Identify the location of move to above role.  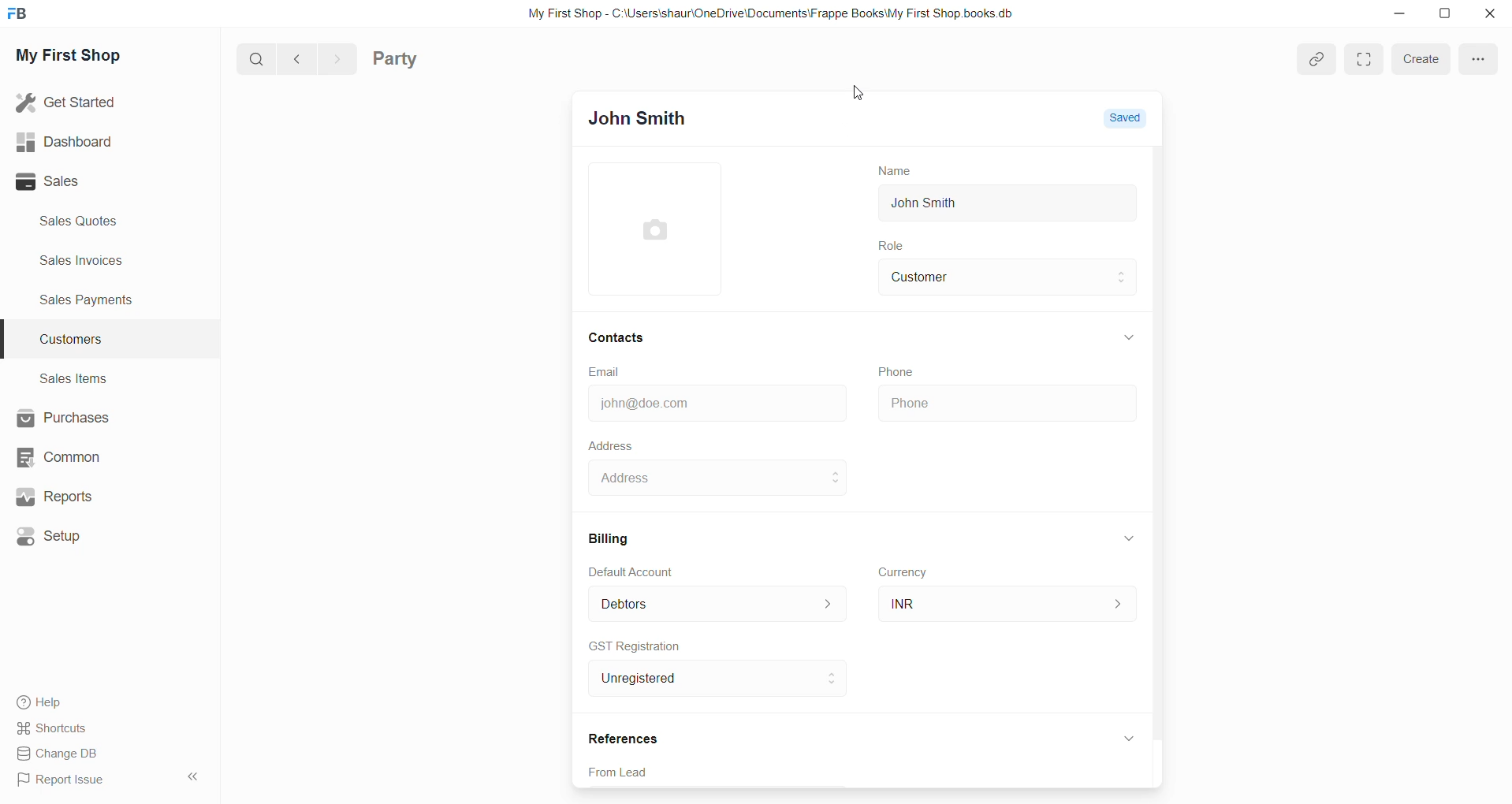
(1124, 270).